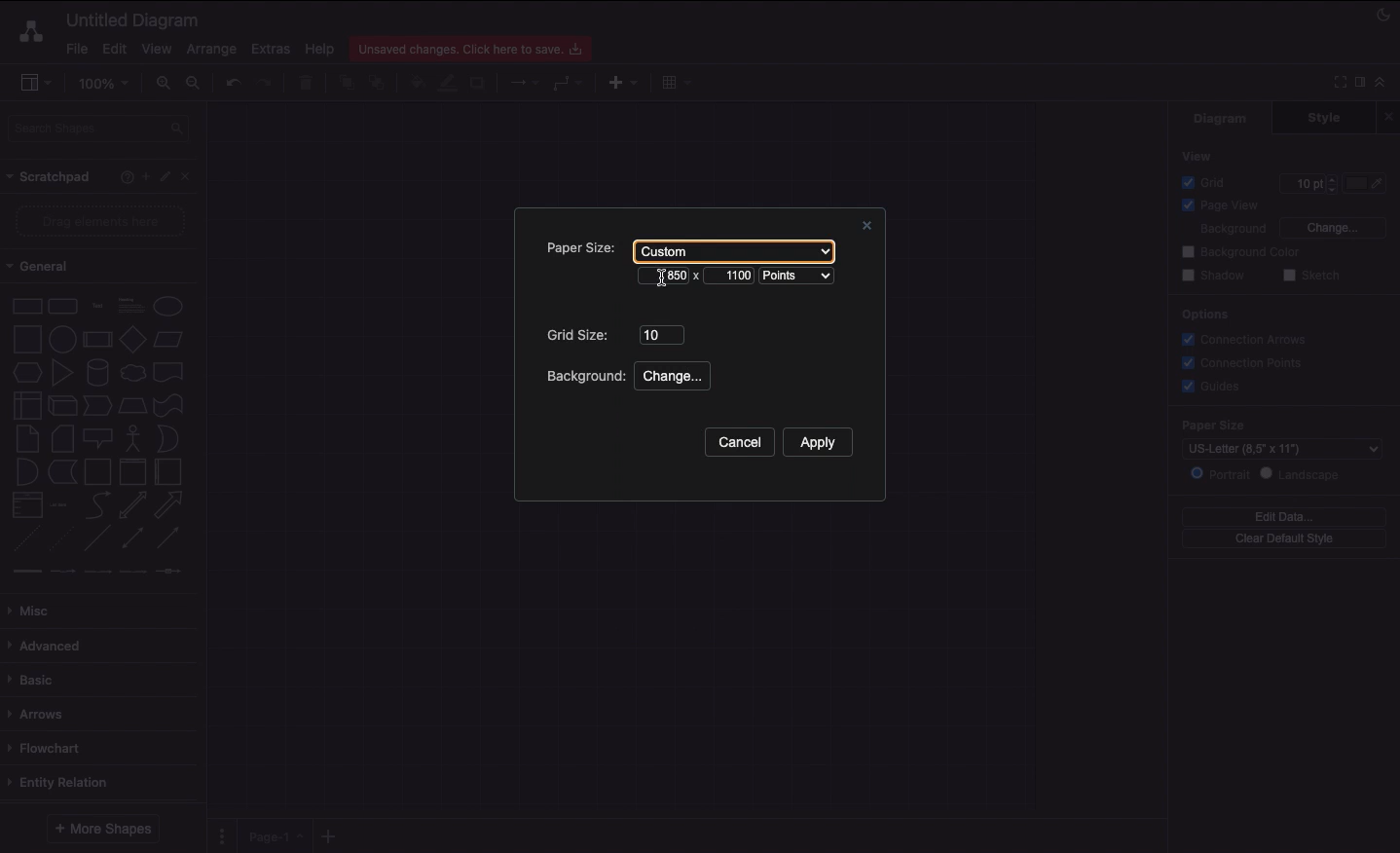 The width and height of the screenshot is (1400, 853). I want to click on Scrathpad, so click(50, 177).